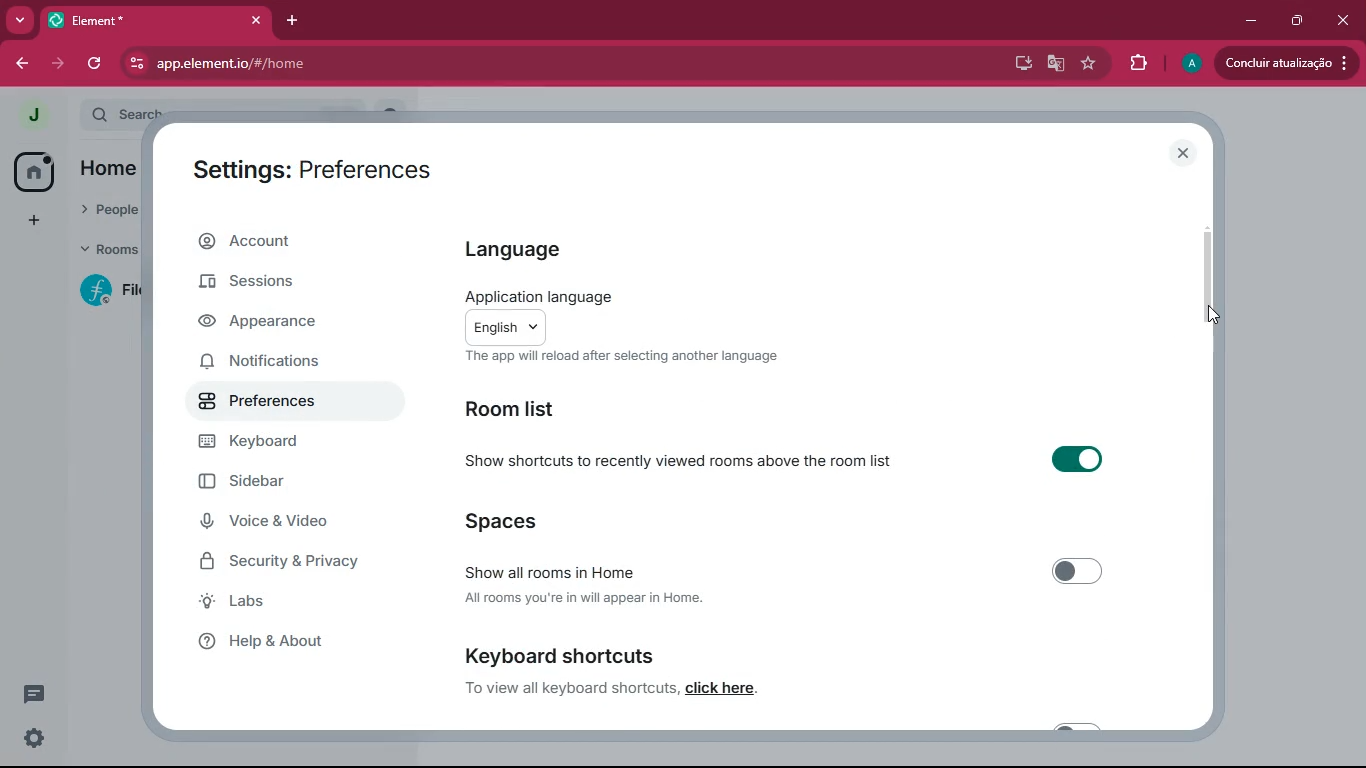 This screenshot has width=1366, height=768. I want to click on comments, so click(34, 693).